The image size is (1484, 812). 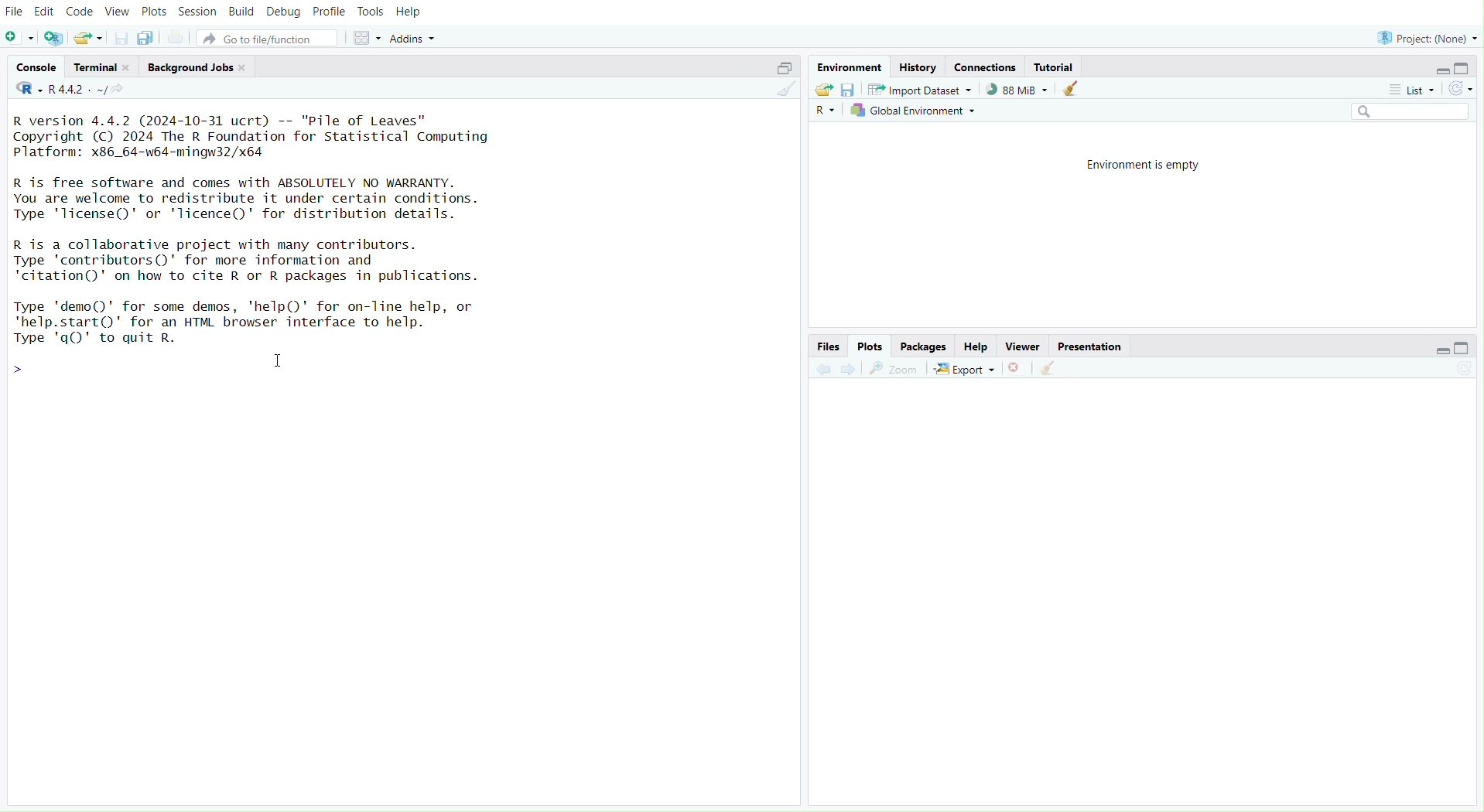 What do you see at coordinates (152, 12) in the screenshot?
I see `Plots` at bounding box center [152, 12].